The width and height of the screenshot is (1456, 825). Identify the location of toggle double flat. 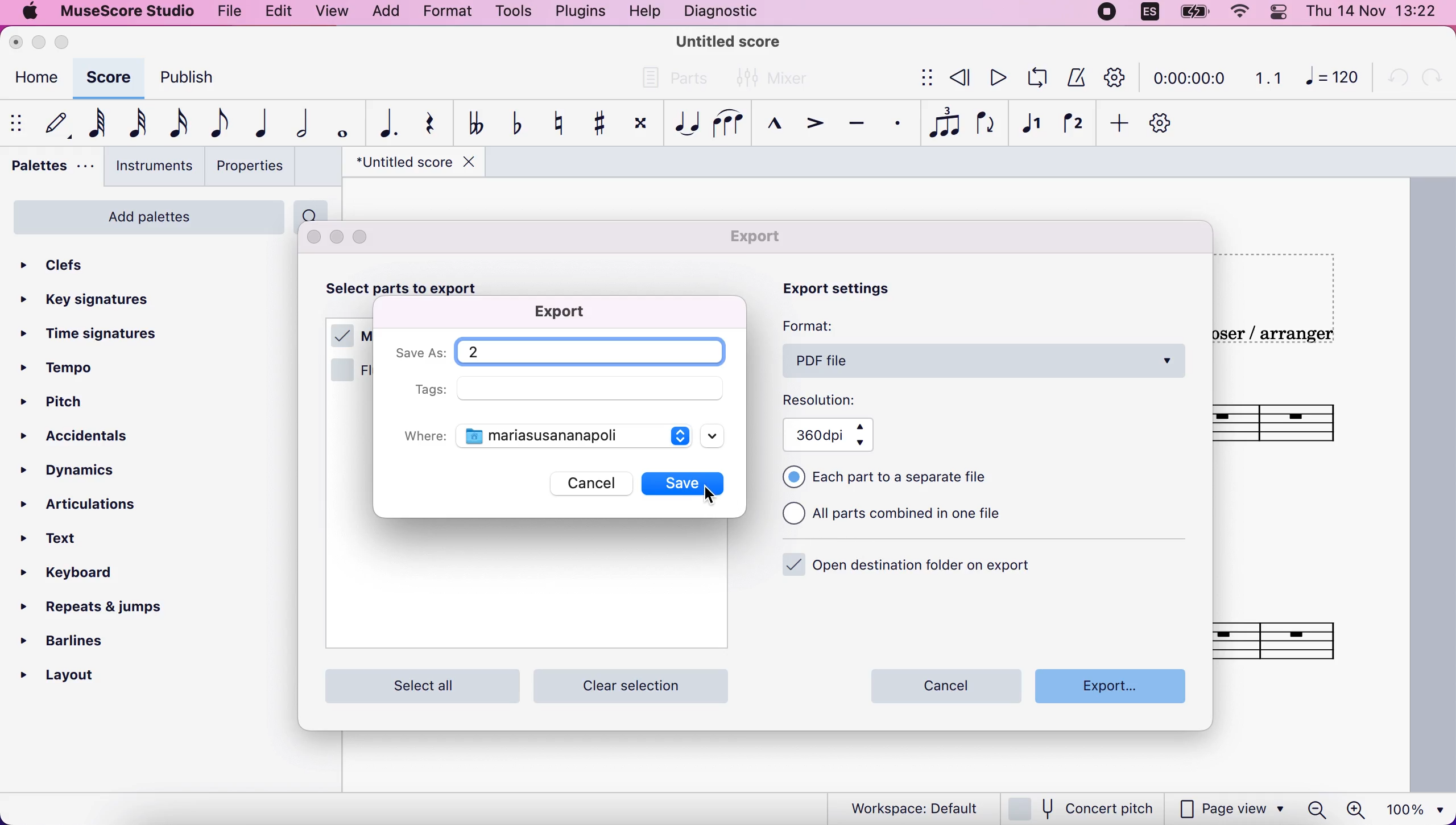
(471, 125).